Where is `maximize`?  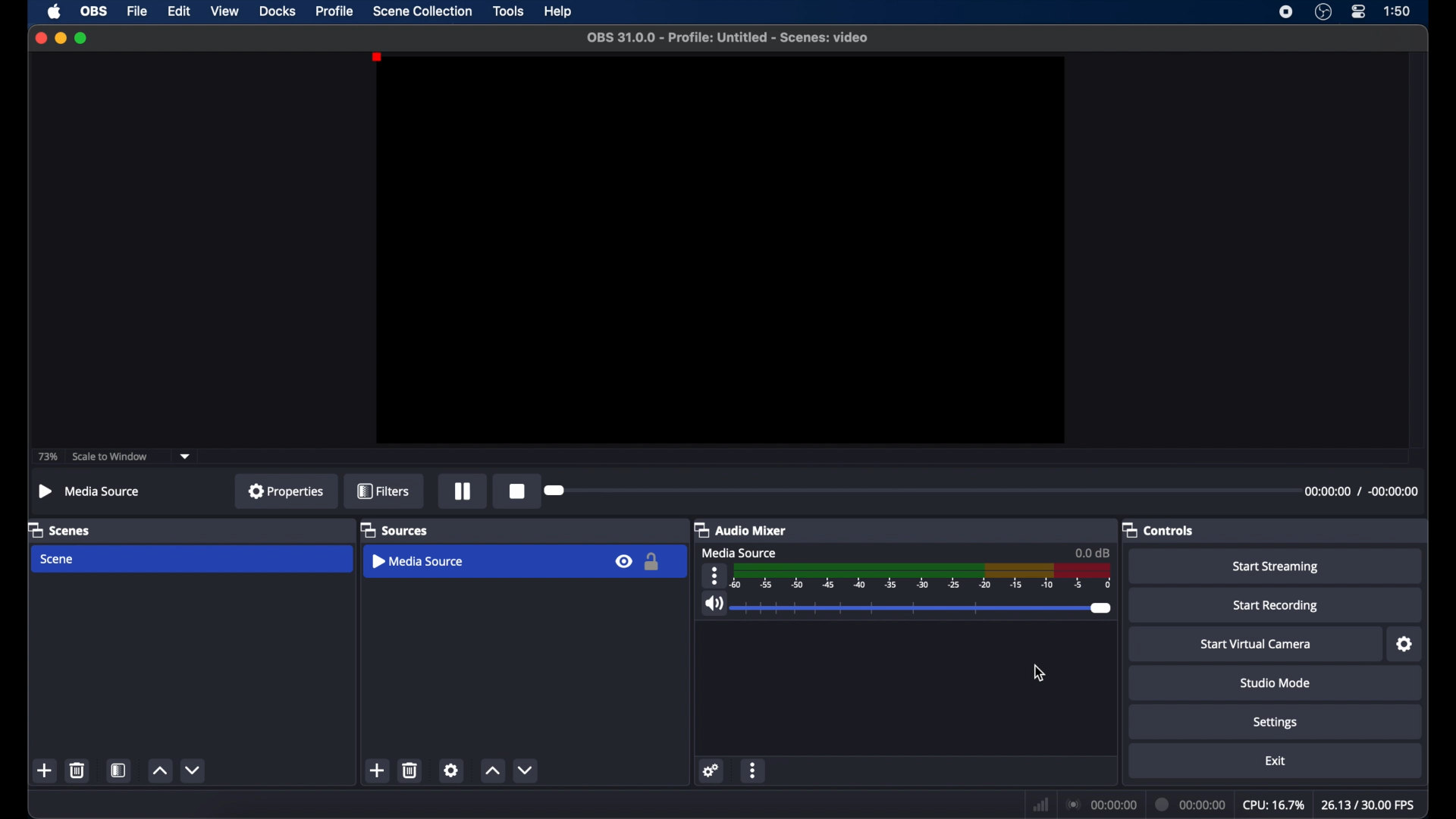
maximize is located at coordinates (83, 38).